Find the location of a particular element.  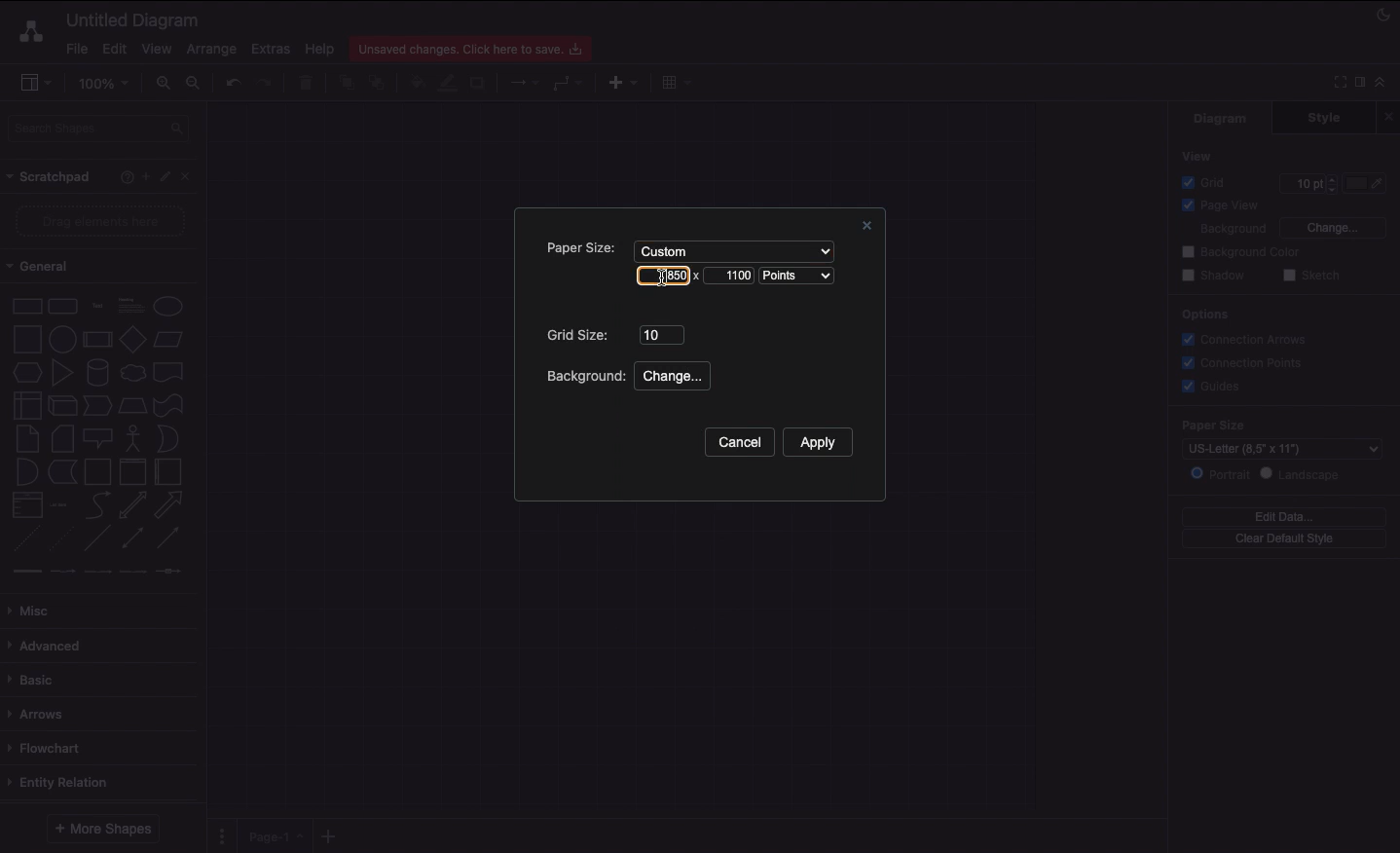

Vertical container is located at coordinates (133, 470).